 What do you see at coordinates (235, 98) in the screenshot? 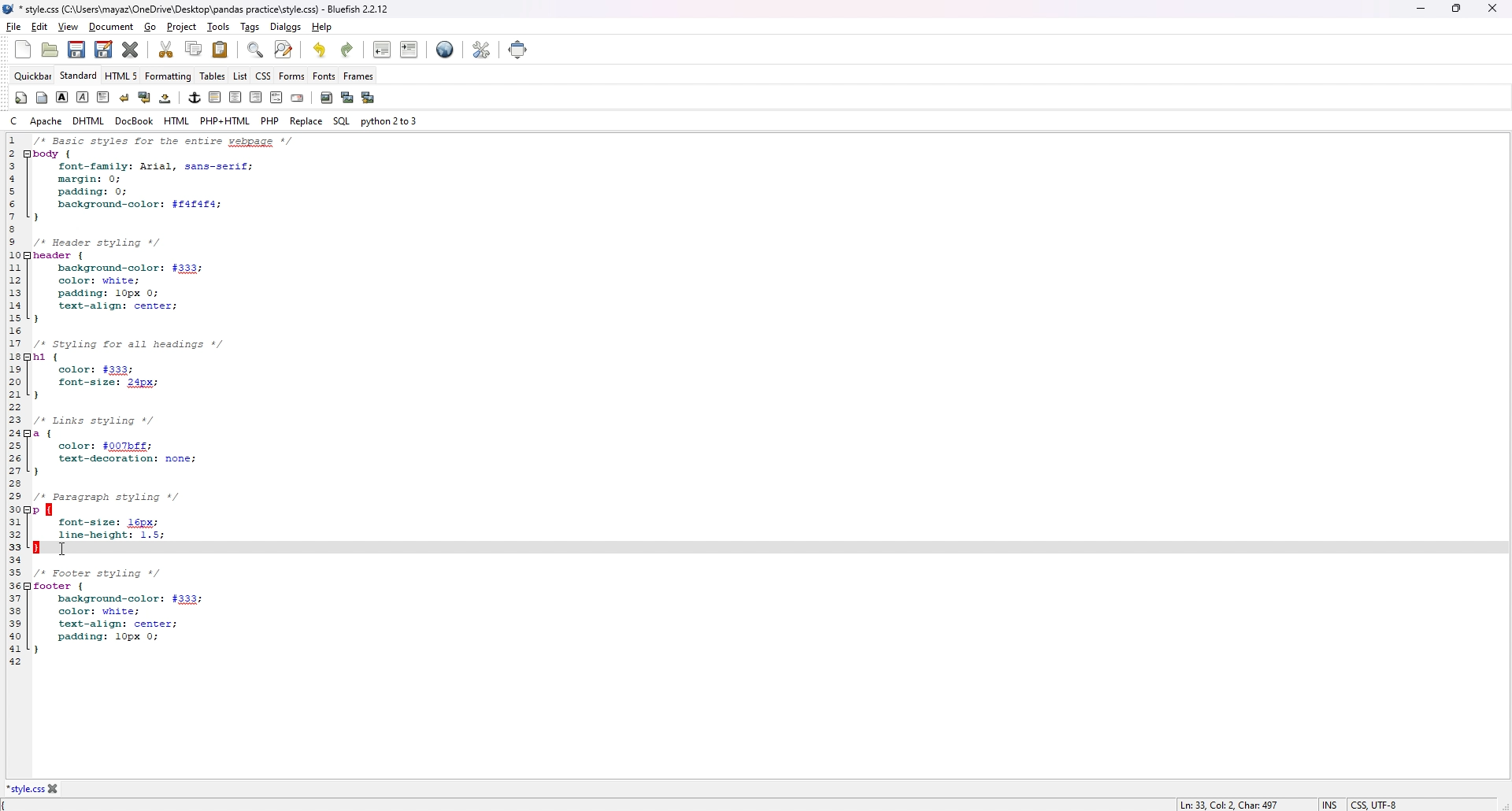
I see `center` at bounding box center [235, 98].